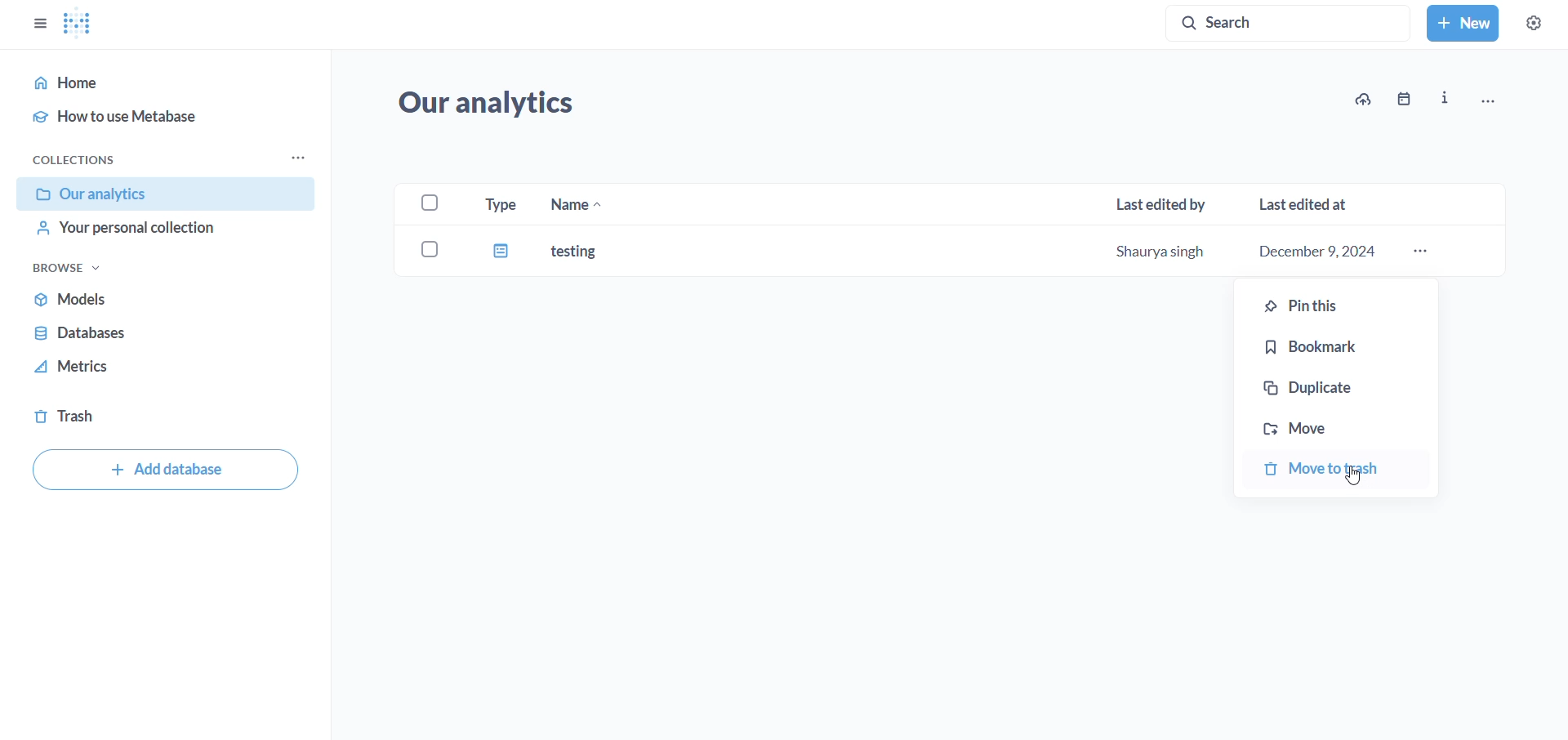  Describe the element at coordinates (1339, 426) in the screenshot. I see `move ` at that location.